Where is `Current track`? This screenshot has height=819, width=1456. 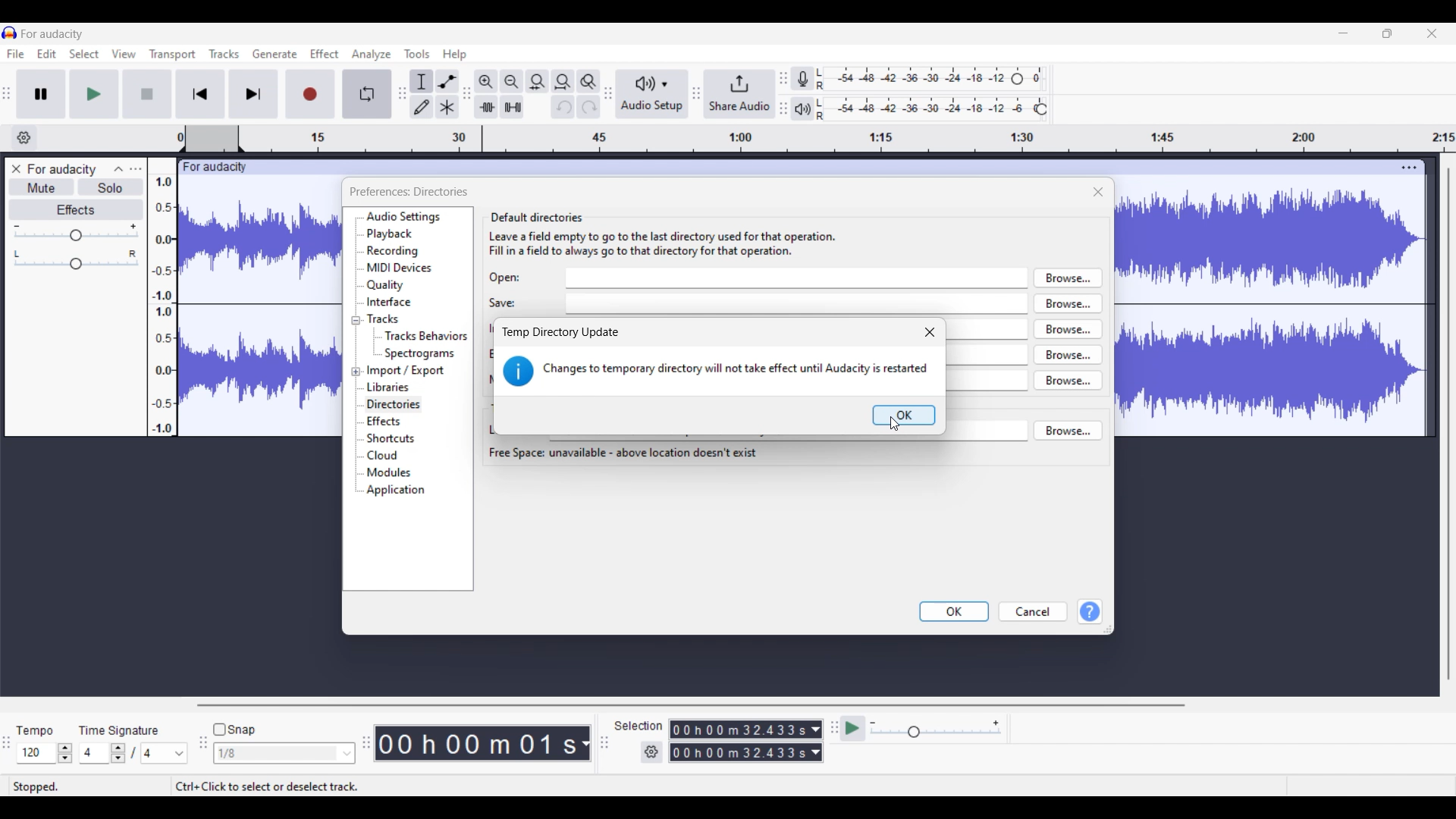
Current track is located at coordinates (1257, 297).